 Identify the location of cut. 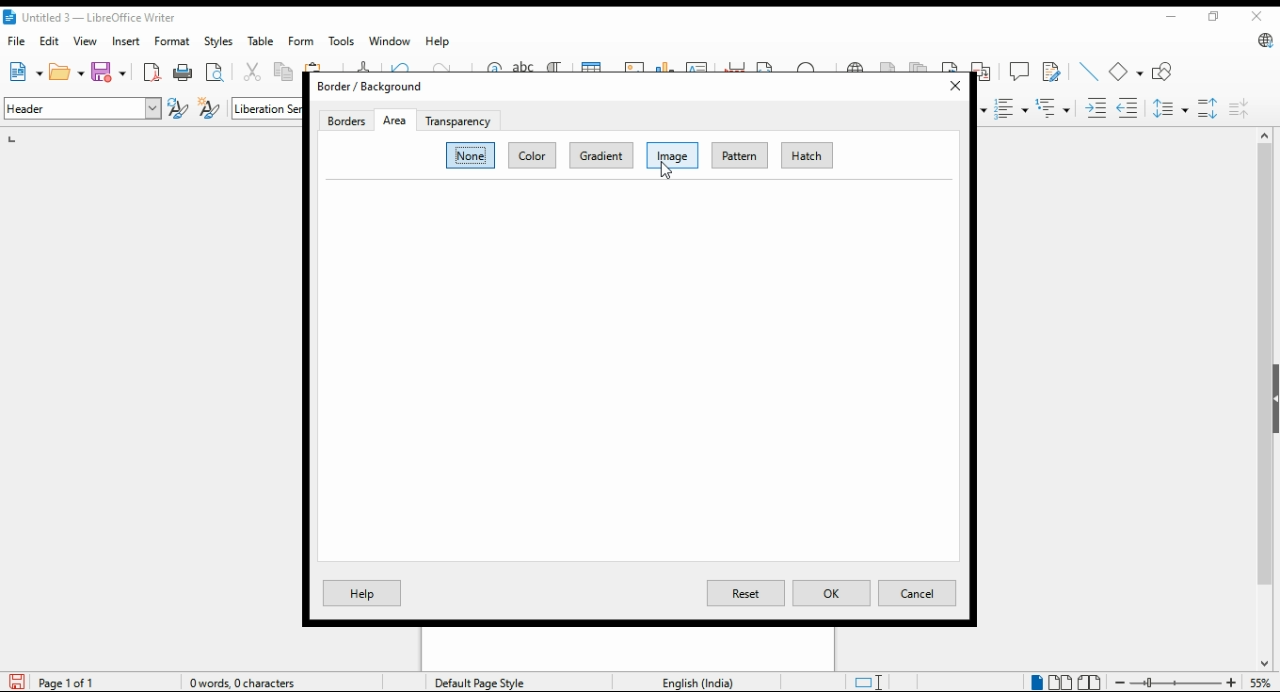
(254, 72).